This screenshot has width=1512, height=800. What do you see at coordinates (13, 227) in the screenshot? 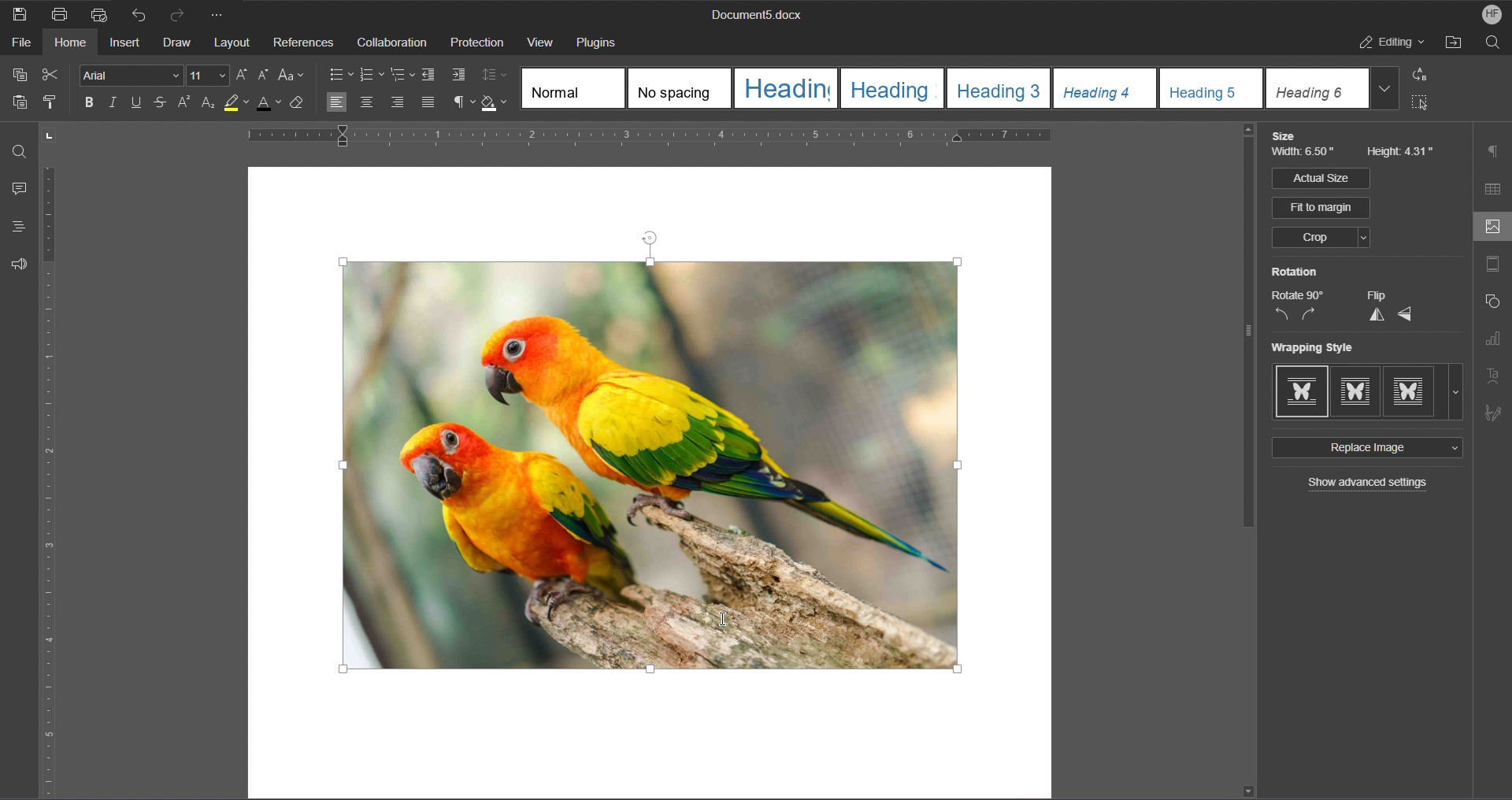
I see `Headings` at bounding box center [13, 227].